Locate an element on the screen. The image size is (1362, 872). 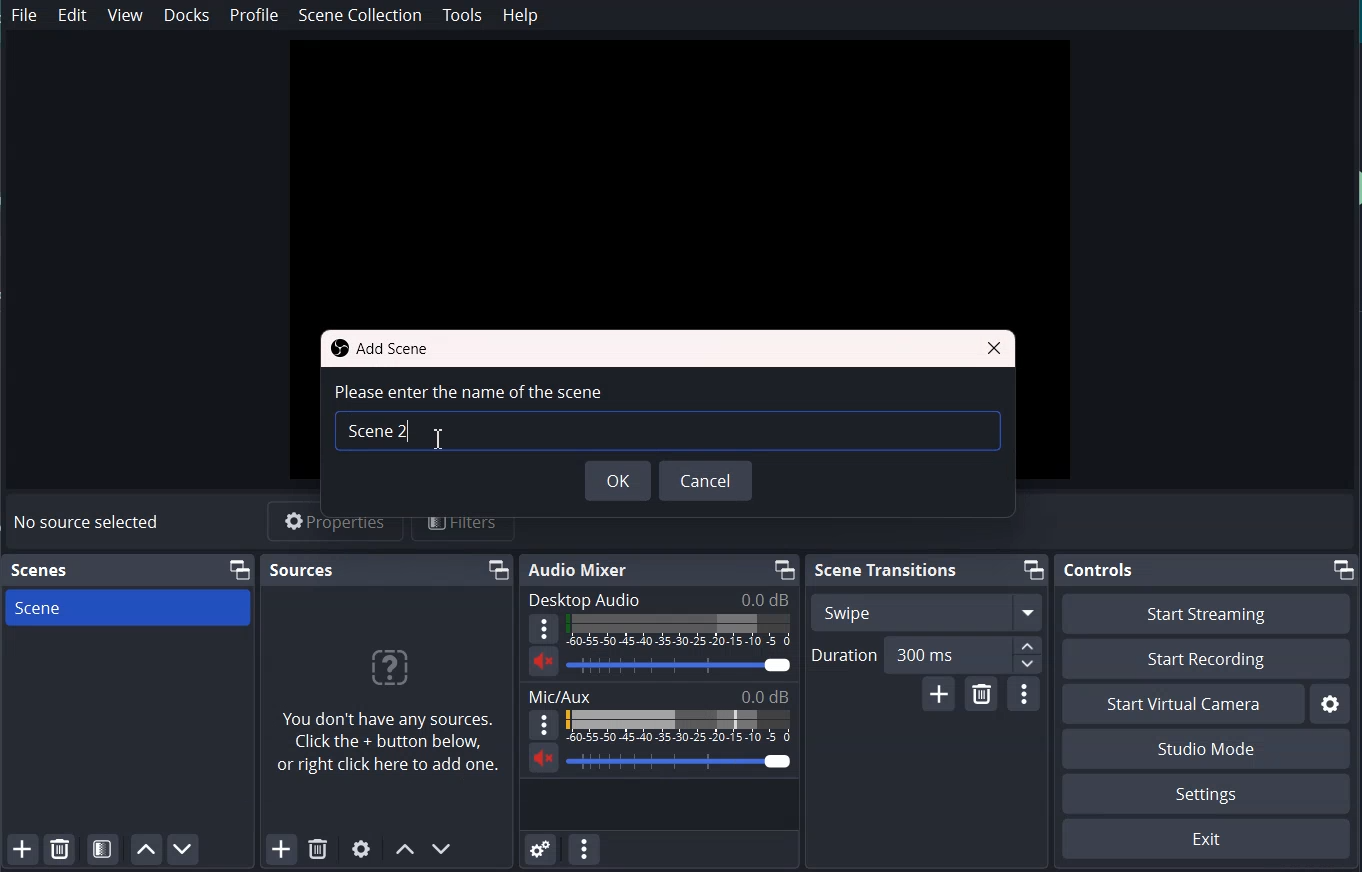
Source is located at coordinates (302, 569).